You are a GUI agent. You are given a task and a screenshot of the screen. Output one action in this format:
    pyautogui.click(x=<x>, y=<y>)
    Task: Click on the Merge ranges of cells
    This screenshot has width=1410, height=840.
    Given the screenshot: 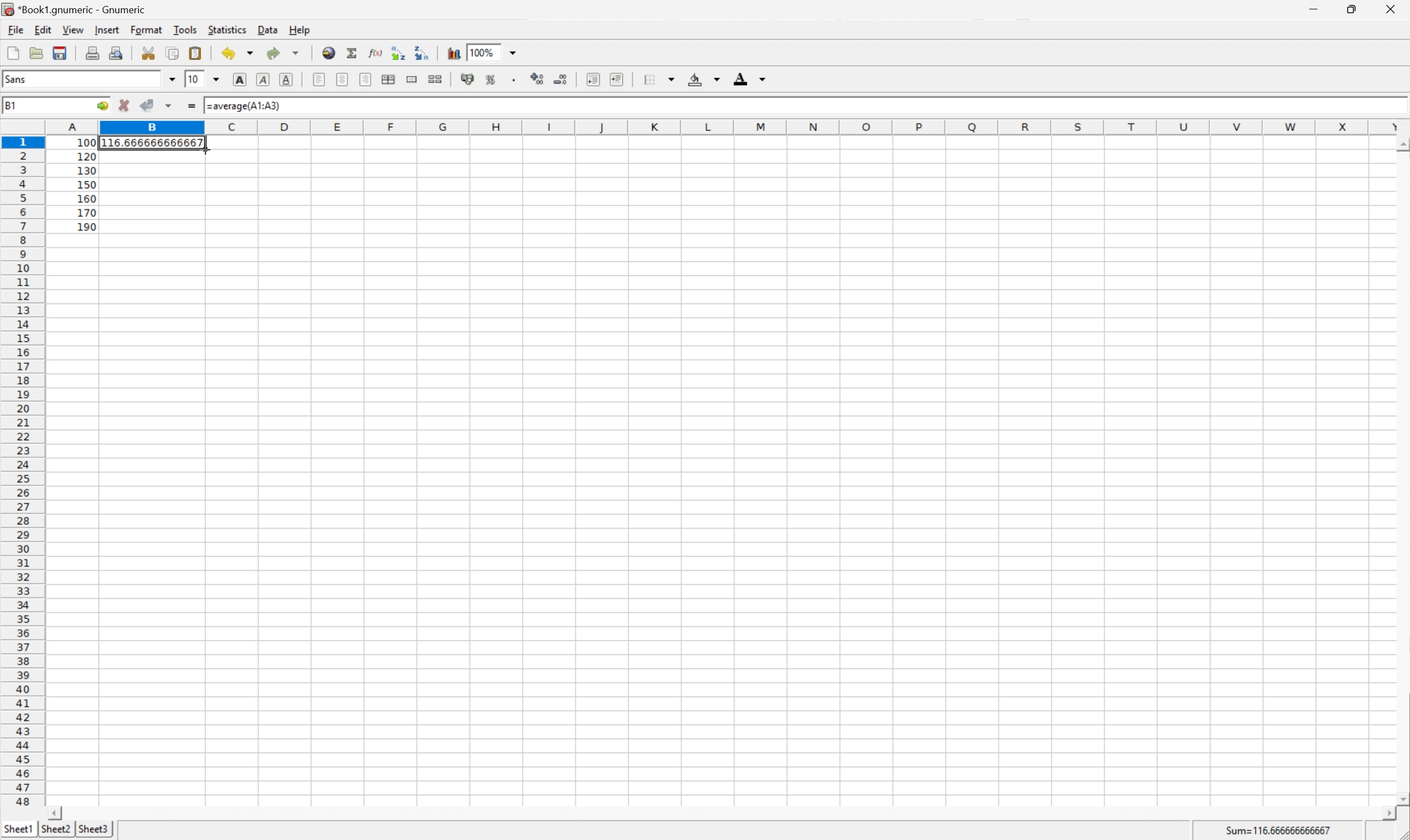 What is the action you would take?
    pyautogui.click(x=413, y=79)
    